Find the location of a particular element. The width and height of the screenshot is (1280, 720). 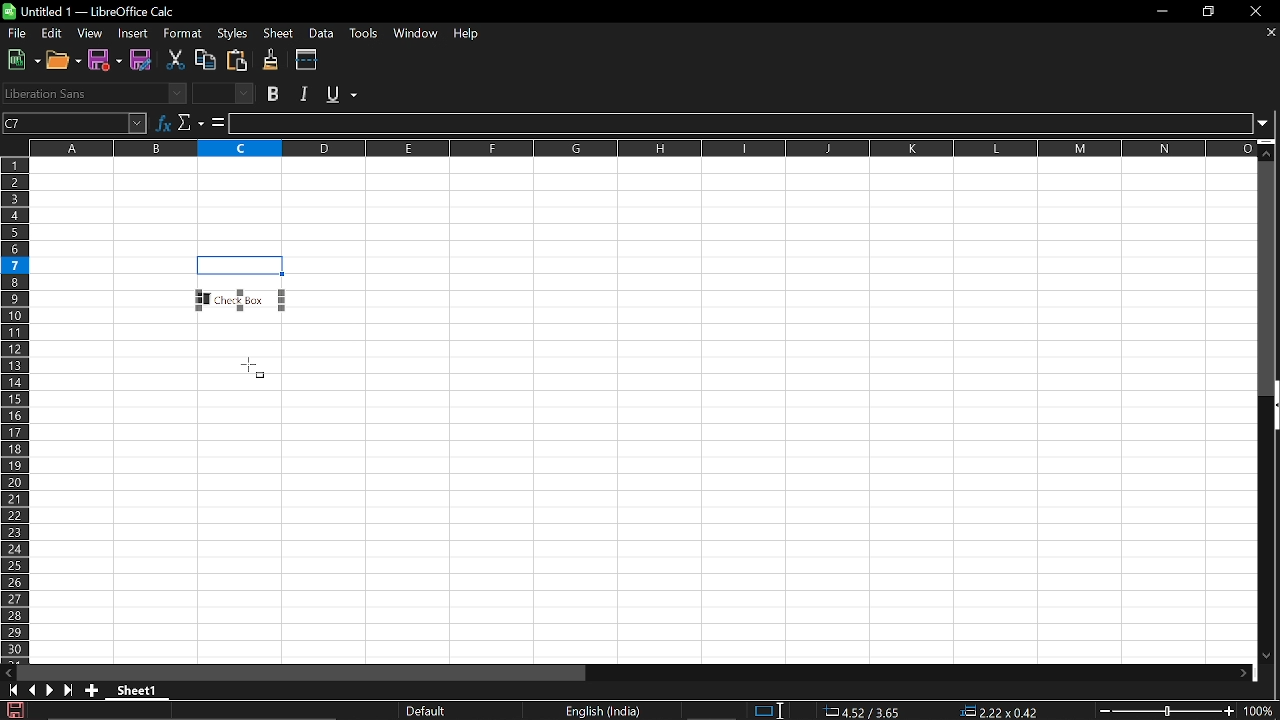

Save is located at coordinates (107, 60).